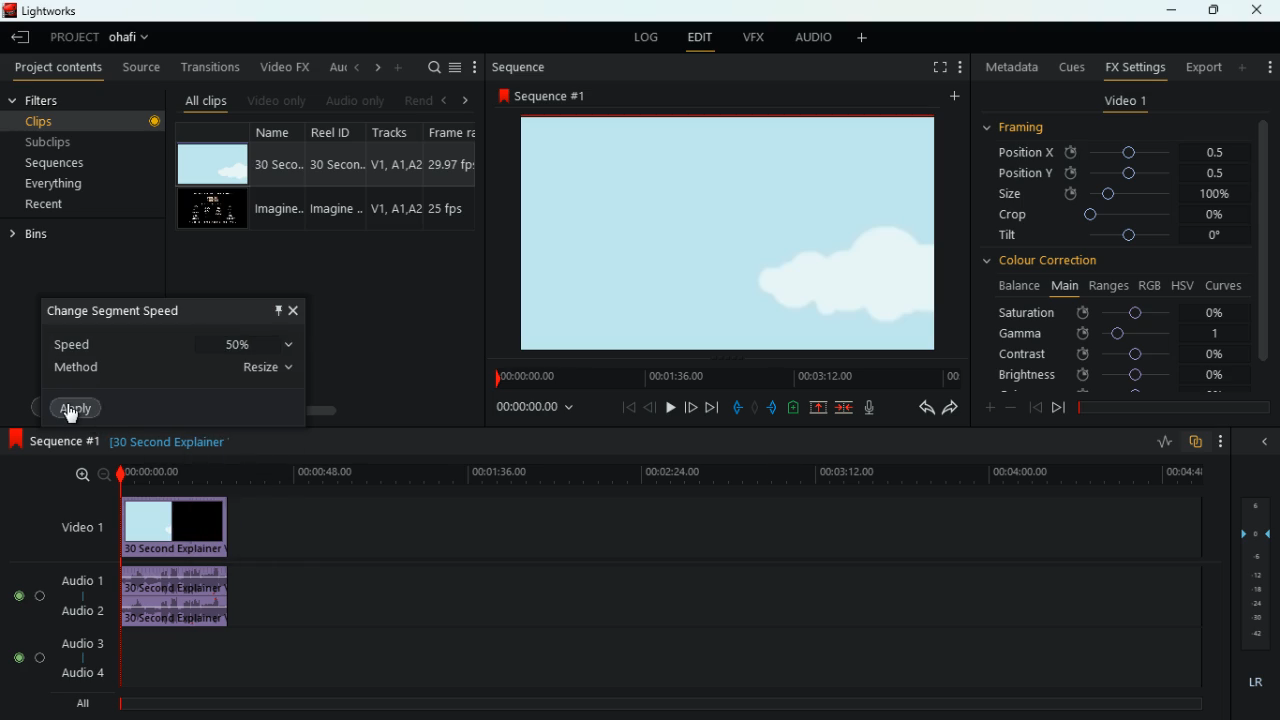 Image resolution: width=1280 pixels, height=720 pixels. Describe the element at coordinates (1106, 286) in the screenshot. I see `ranges` at that location.